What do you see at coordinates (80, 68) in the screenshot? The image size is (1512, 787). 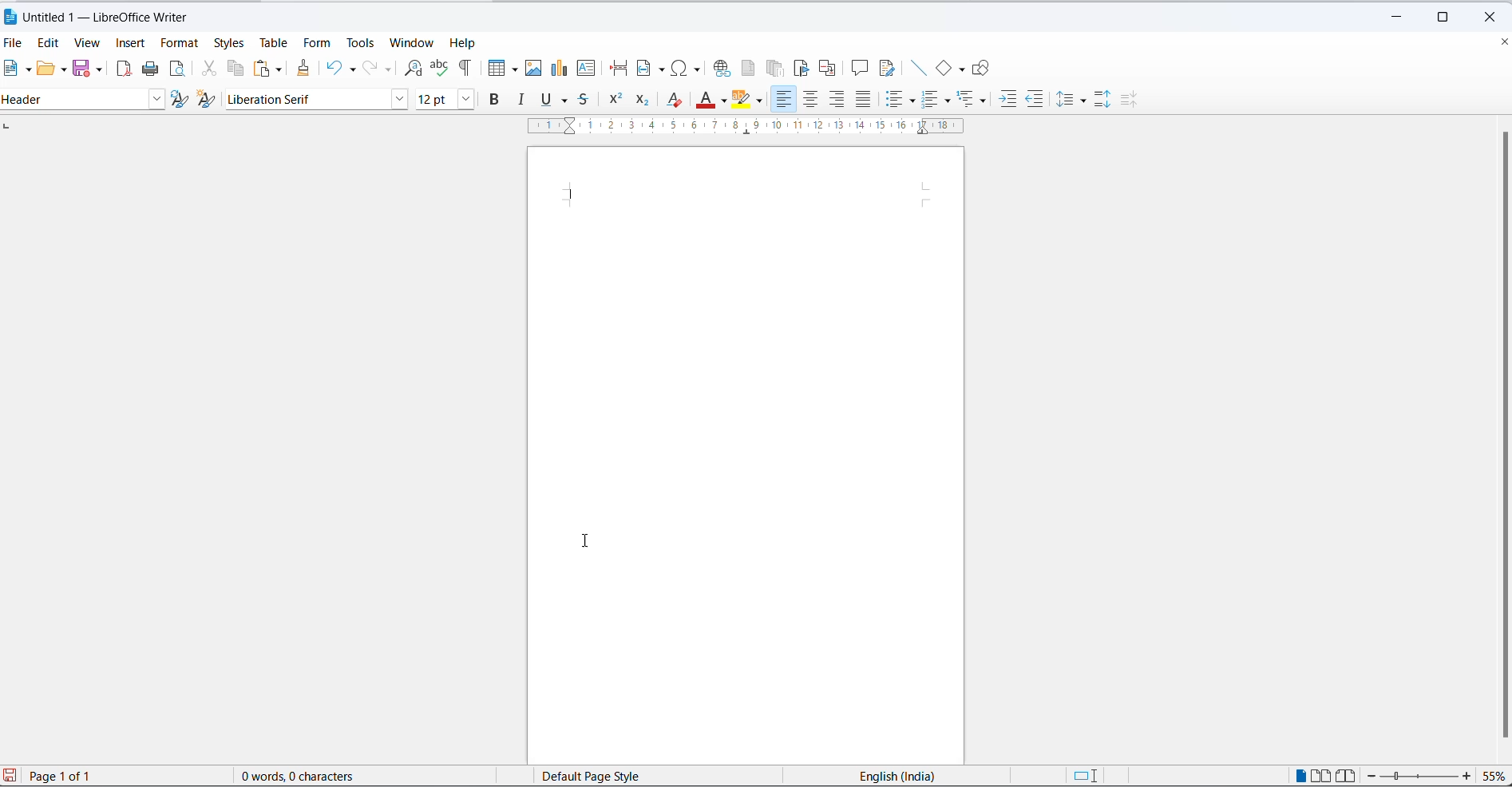 I see `save` at bounding box center [80, 68].